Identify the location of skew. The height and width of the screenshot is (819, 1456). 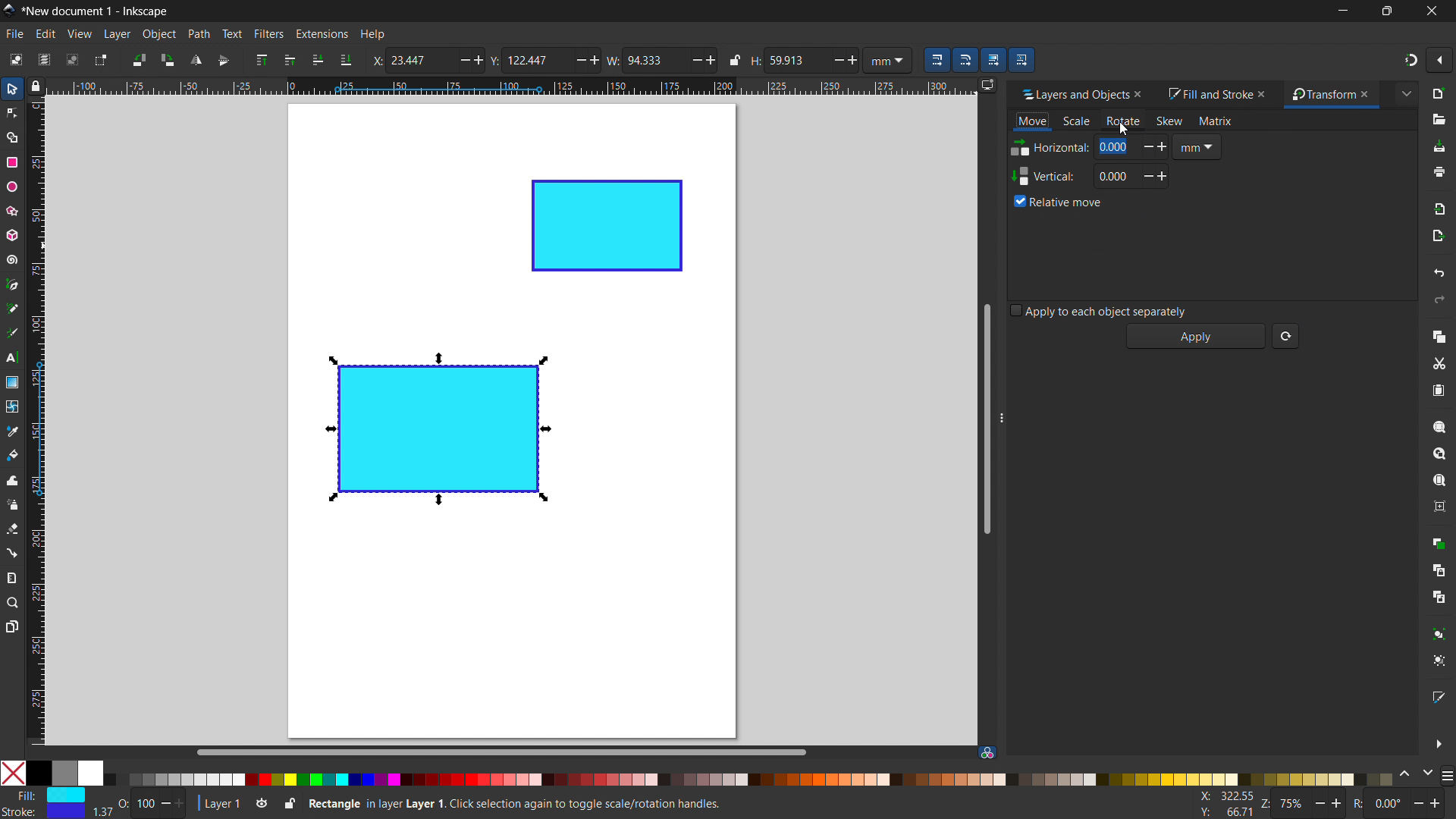
(1169, 121).